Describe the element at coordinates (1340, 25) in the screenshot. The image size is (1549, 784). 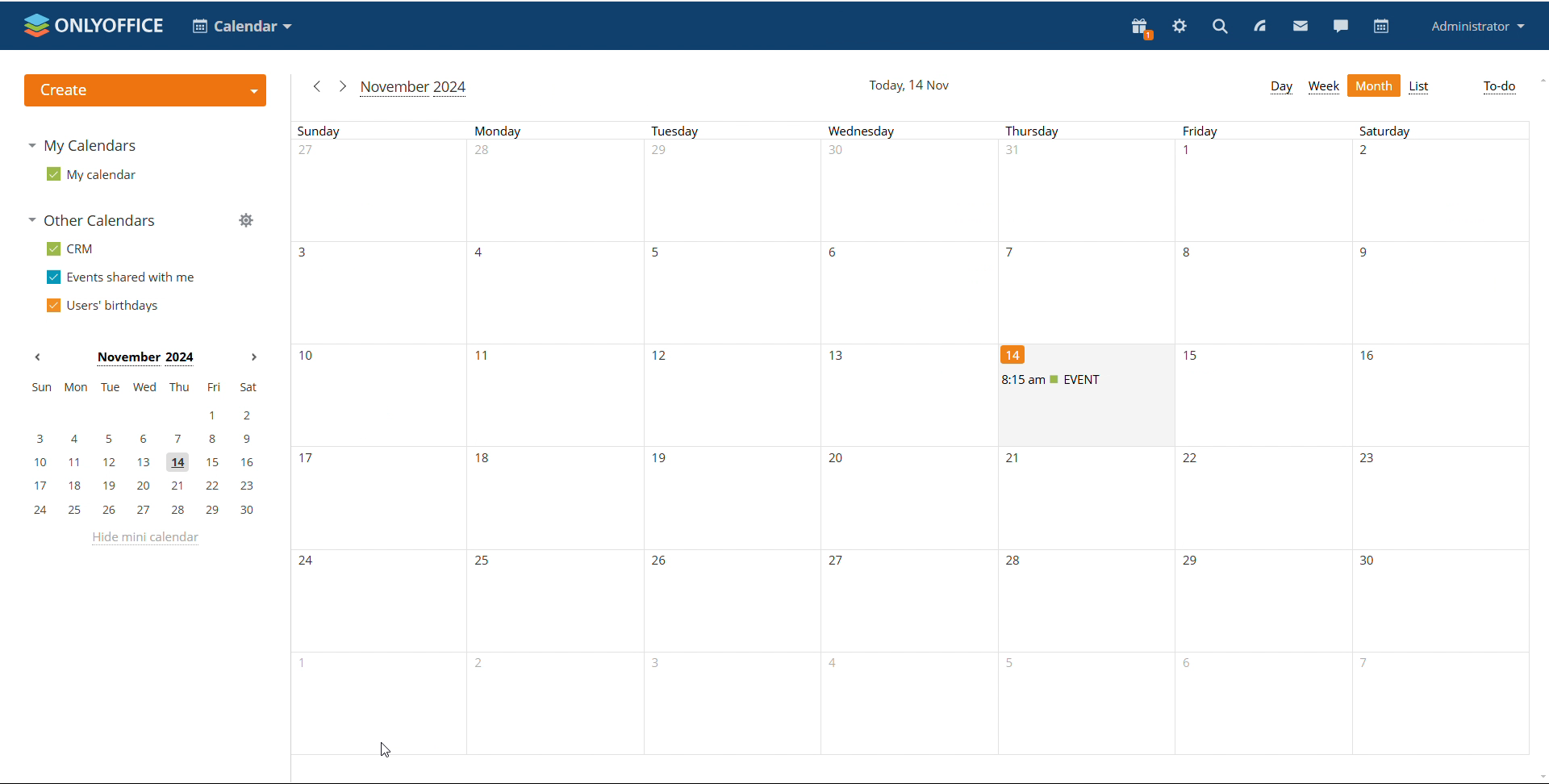
I see `chat` at that location.